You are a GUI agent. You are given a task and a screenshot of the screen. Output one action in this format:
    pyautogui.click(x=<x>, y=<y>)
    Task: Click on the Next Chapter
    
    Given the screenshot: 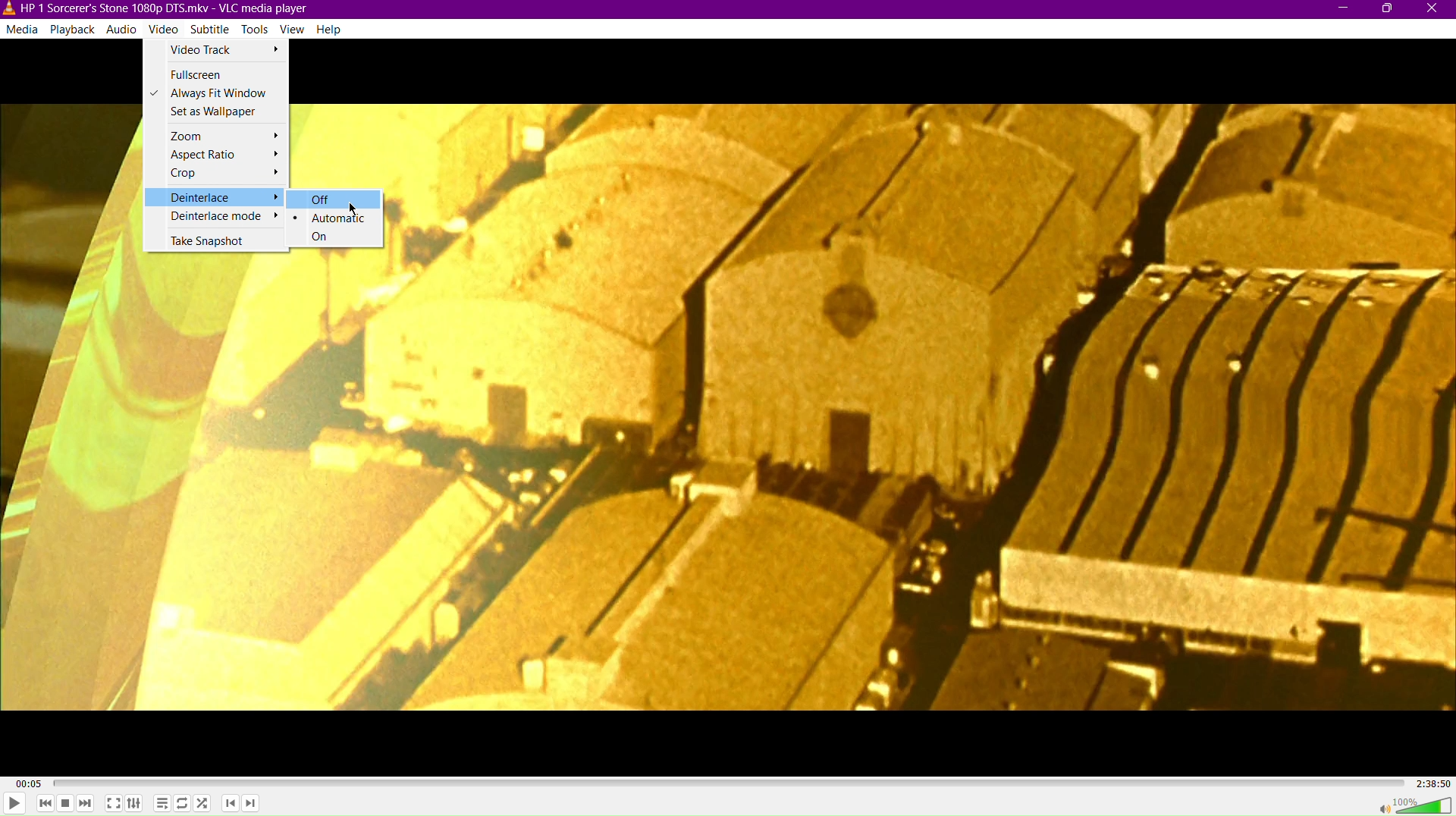 What is the action you would take?
    pyautogui.click(x=251, y=804)
    